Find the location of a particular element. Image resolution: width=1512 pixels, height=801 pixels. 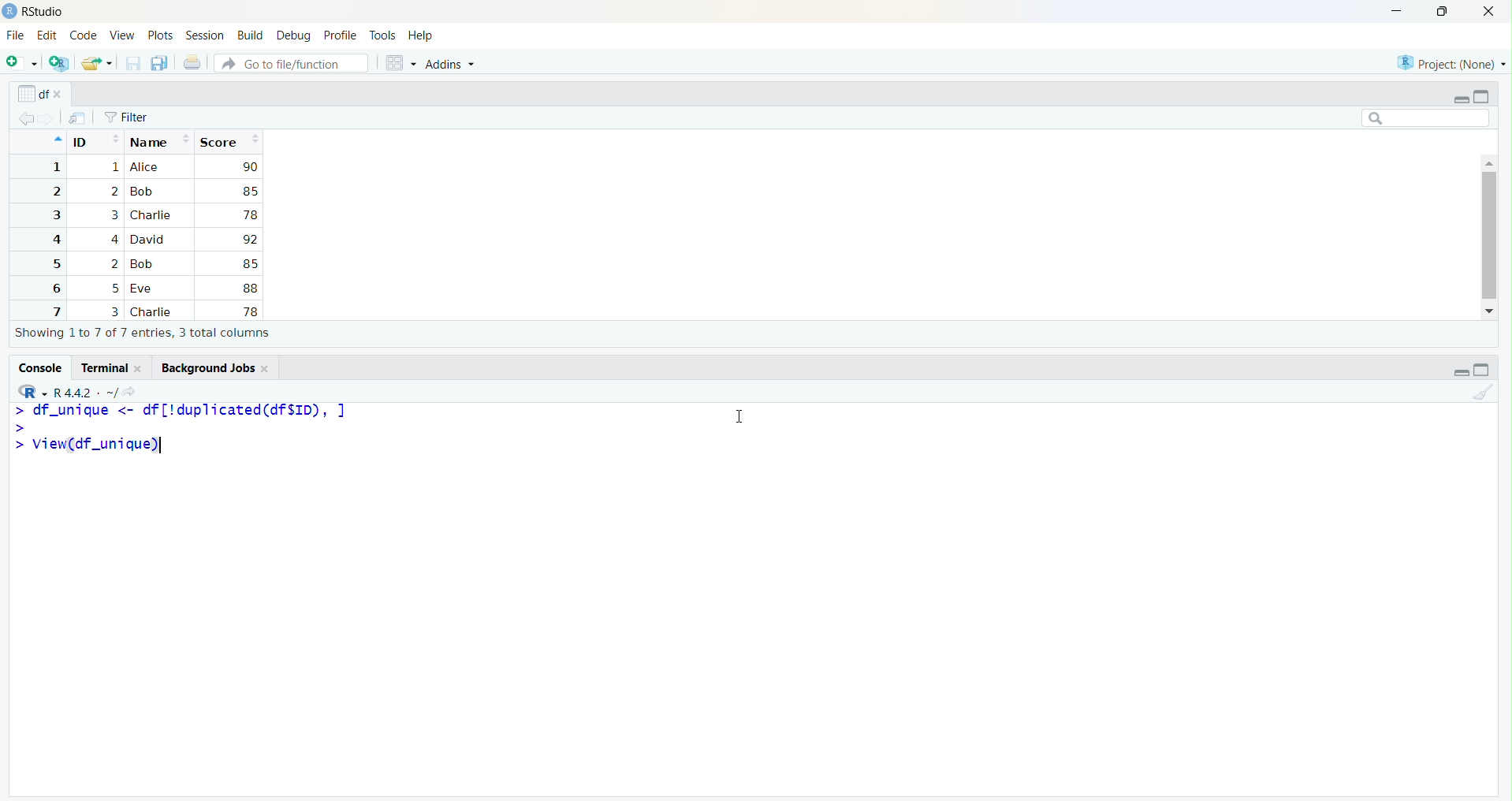

> df_unique <- dr['duplicated(drsIiD), | is located at coordinates (192, 410).